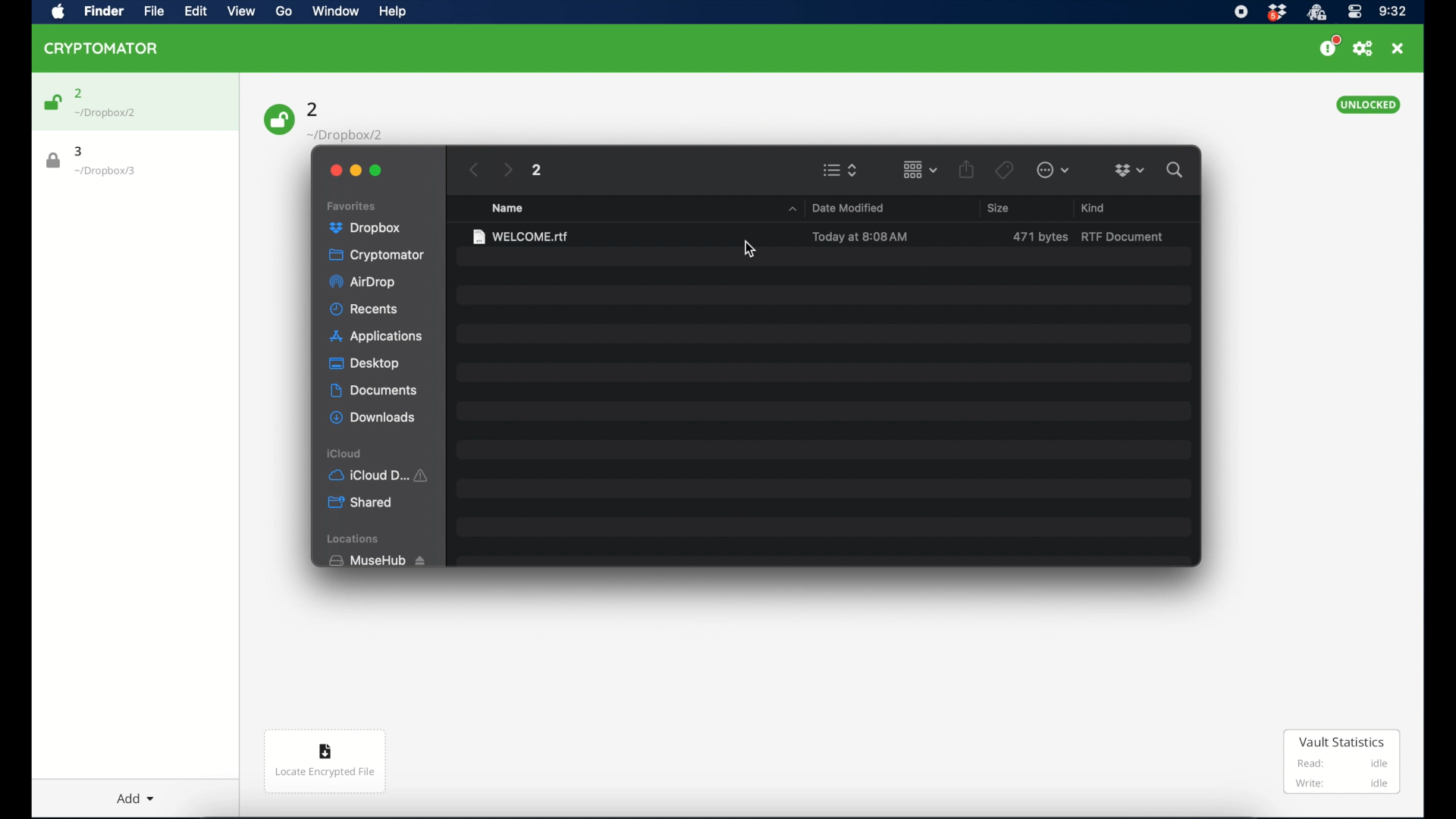 The height and width of the screenshot is (819, 1456). What do you see at coordinates (278, 121) in the screenshot?
I see `unlock icon` at bounding box center [278, 121].